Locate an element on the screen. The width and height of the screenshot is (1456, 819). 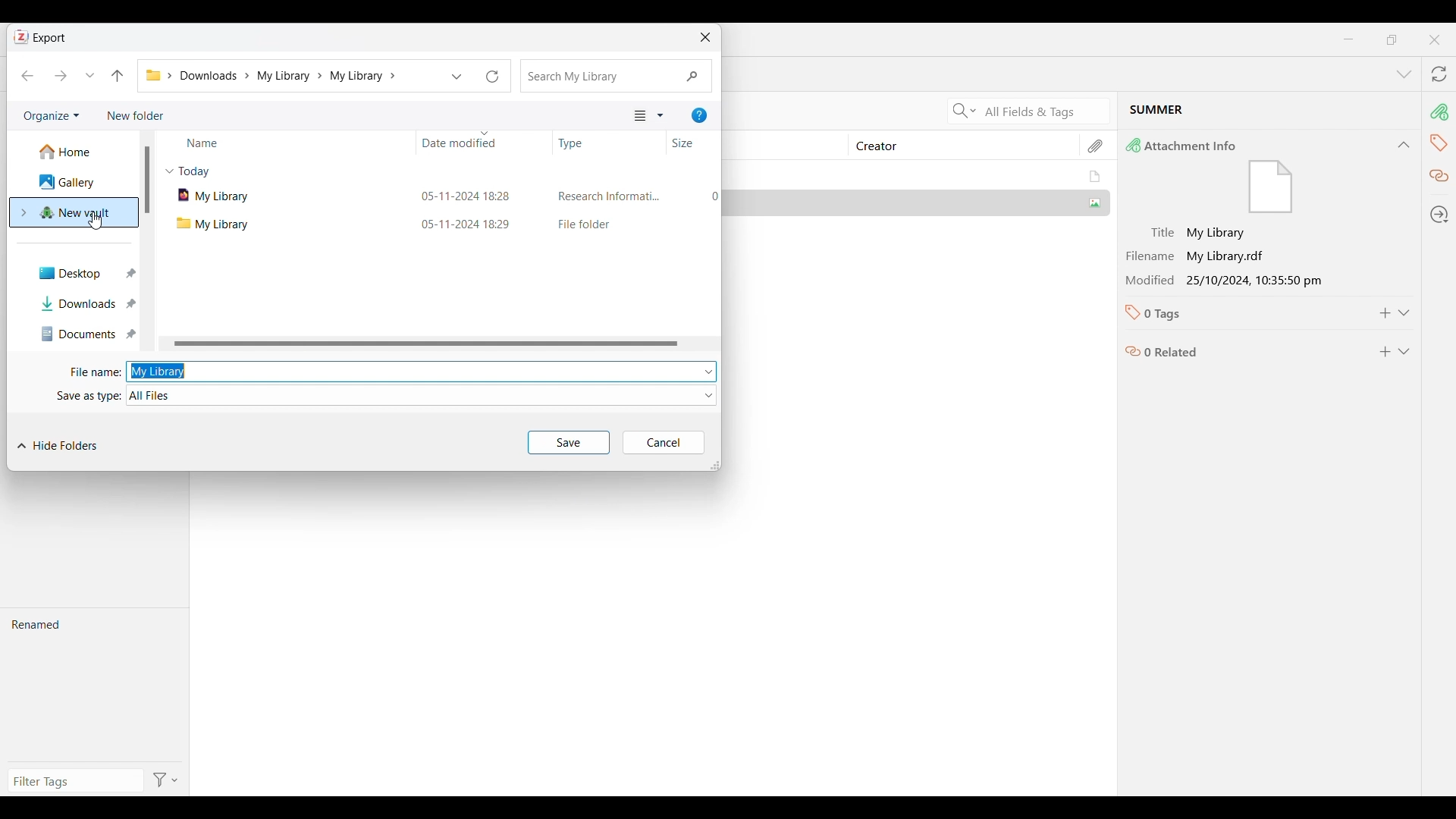
Organize current folder is located at coordinates (51, 116).